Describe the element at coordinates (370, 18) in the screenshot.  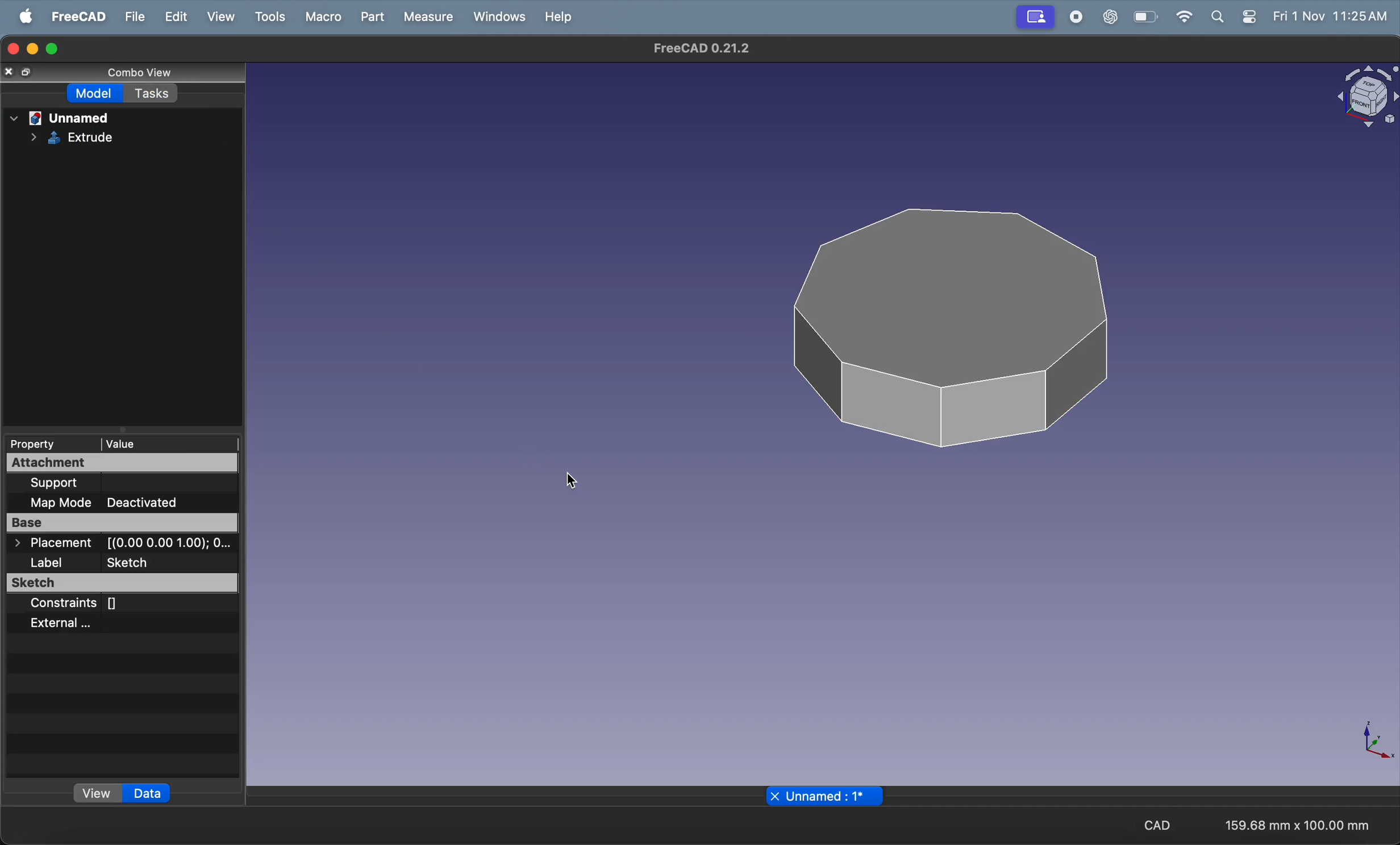
I see `part` at that location.